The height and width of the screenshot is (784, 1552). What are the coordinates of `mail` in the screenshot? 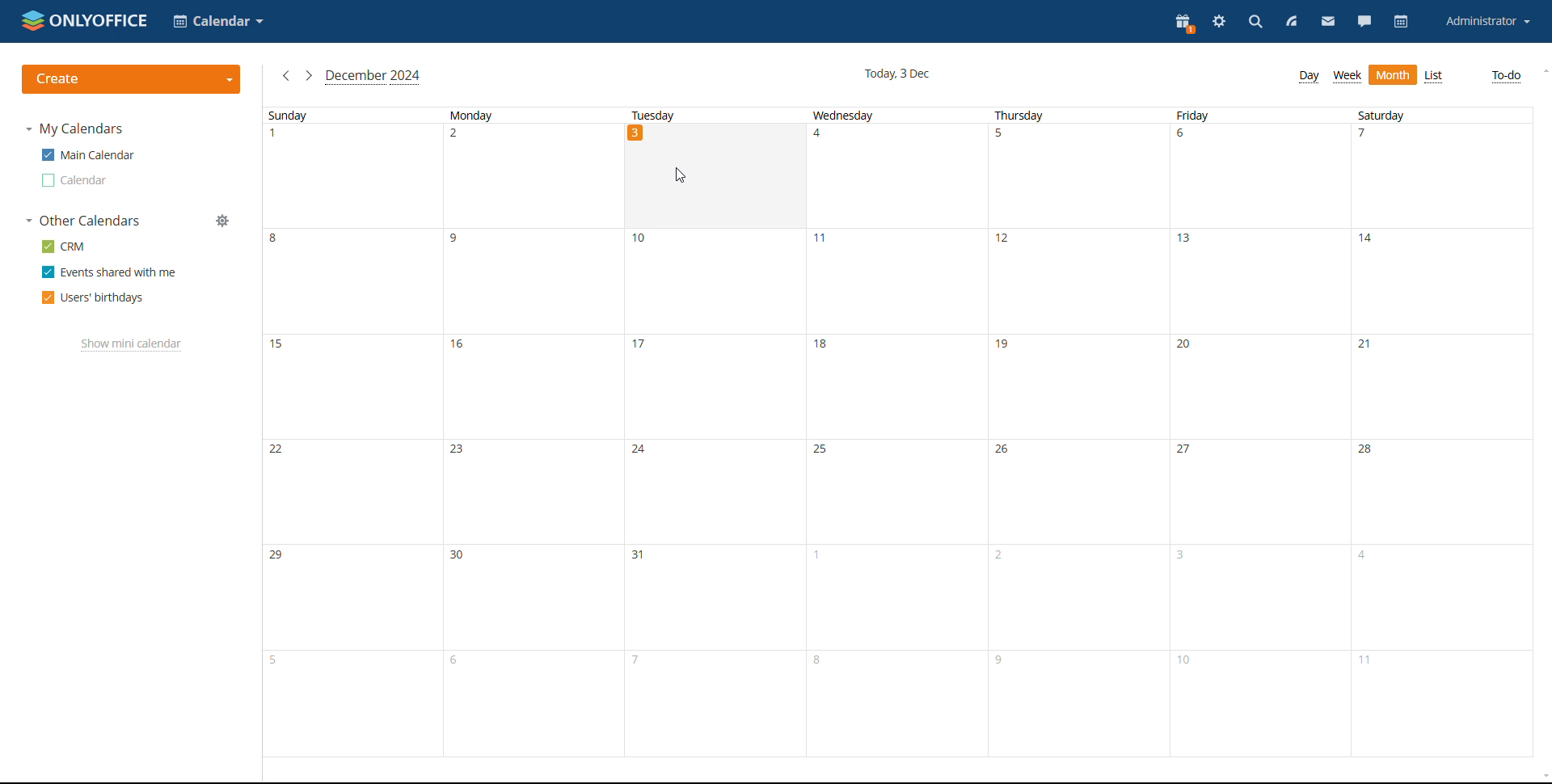 It's located at (1329, 23).